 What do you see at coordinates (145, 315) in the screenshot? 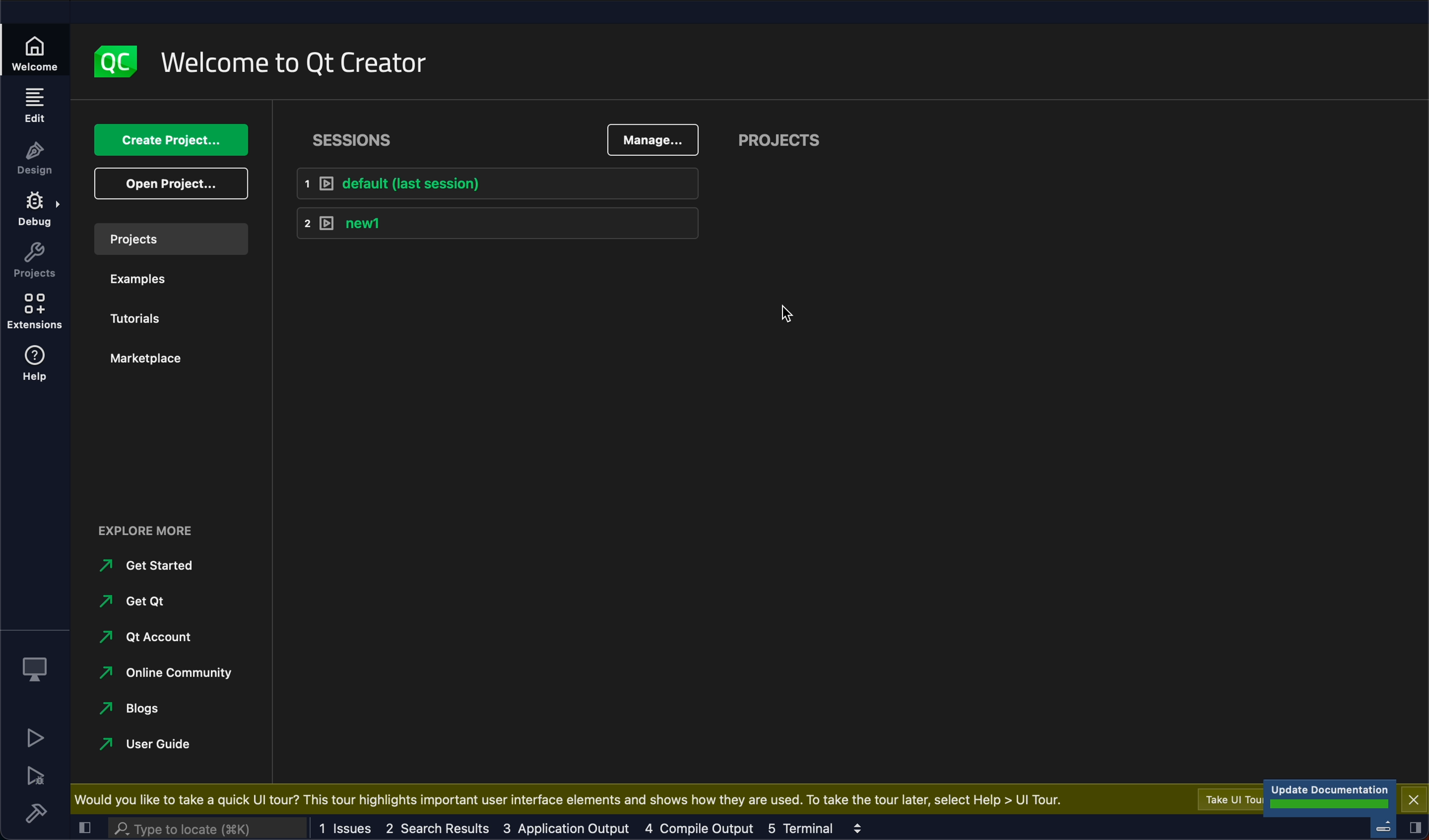
I see `tutorials` at bounding box center [145, 315].